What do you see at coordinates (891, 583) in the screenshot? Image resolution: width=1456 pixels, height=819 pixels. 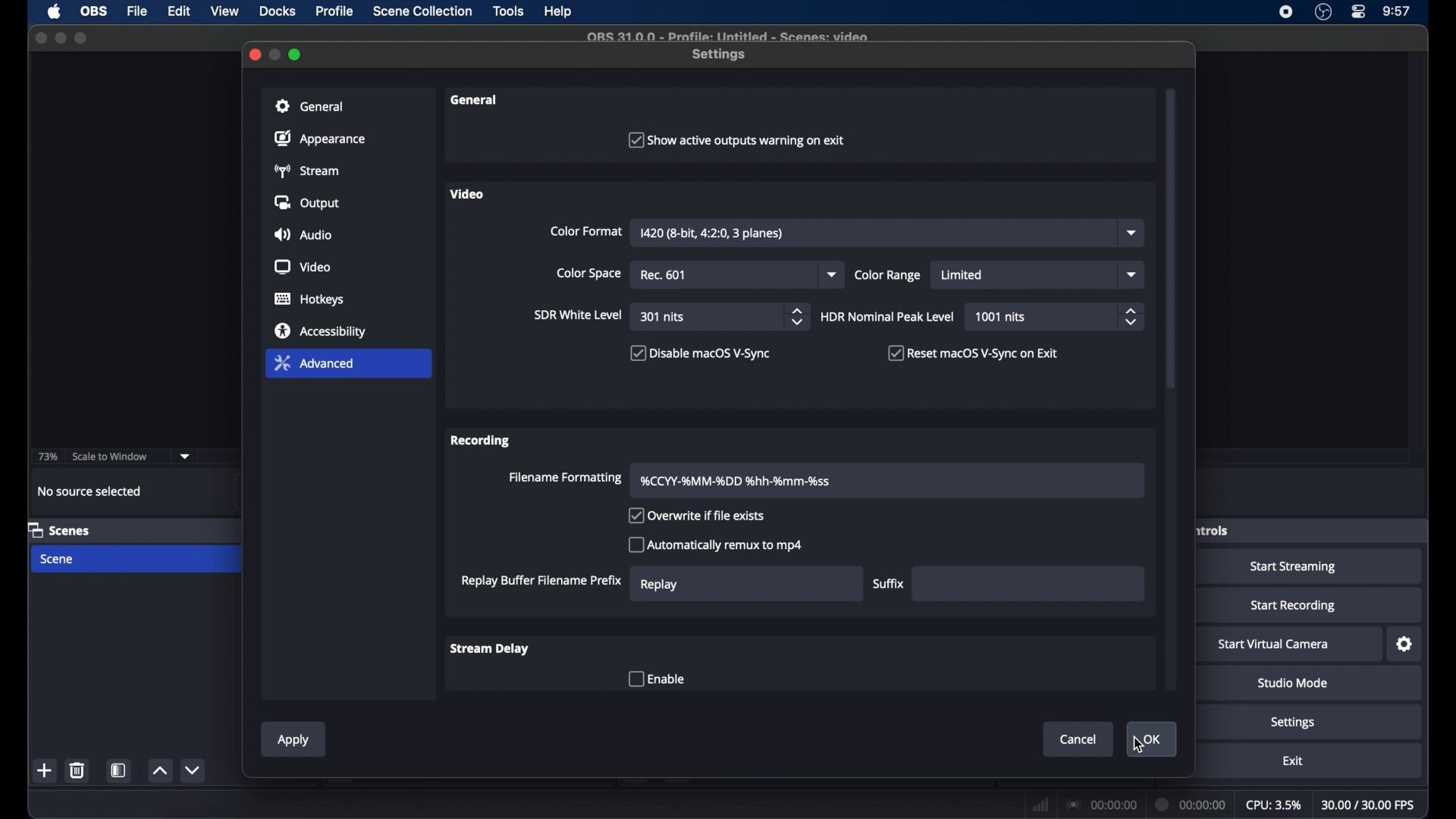 I see `suffix` at bounding box center [891, 583].